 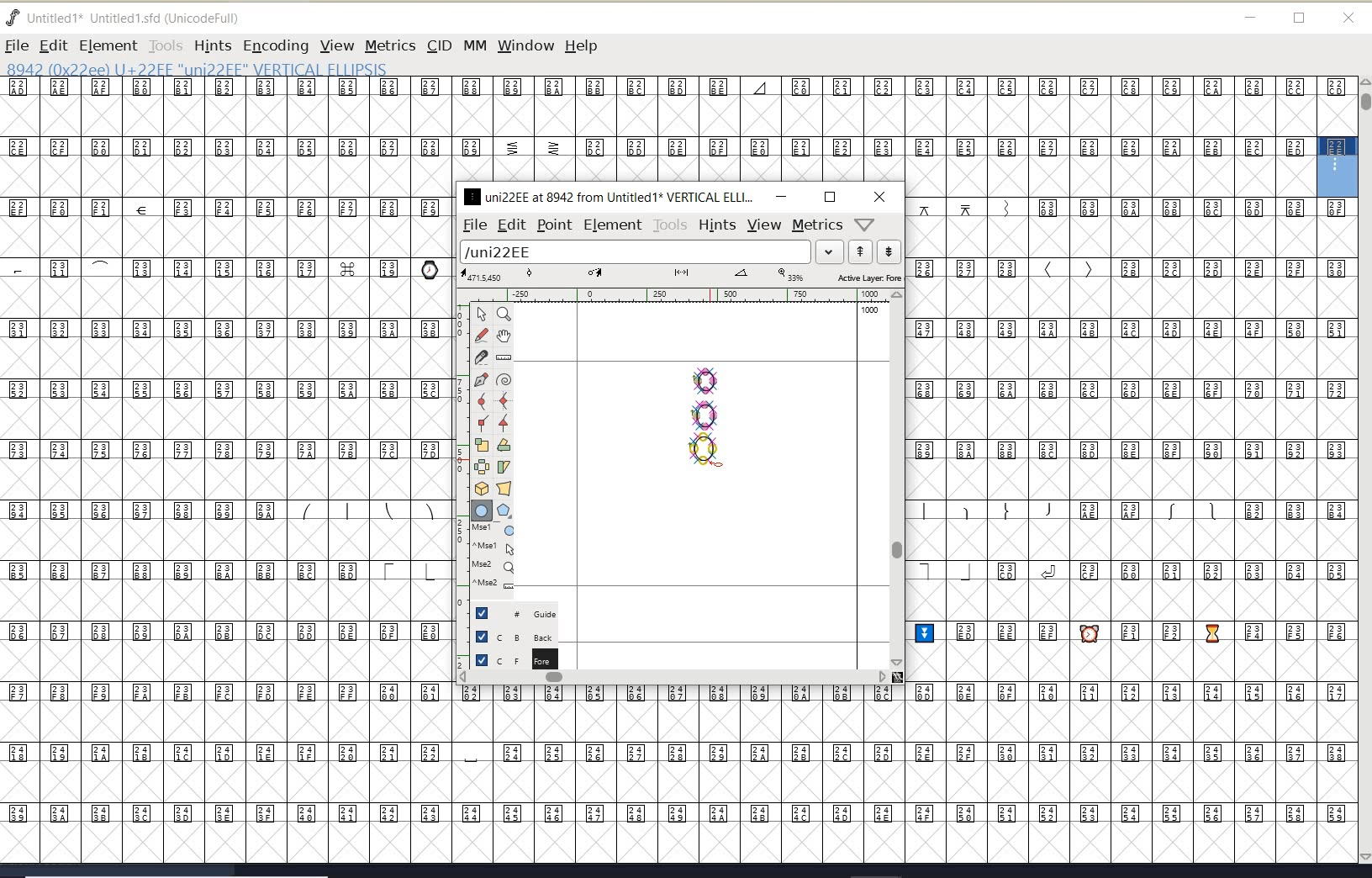 I want to click on background, so click(x=517, y=636).